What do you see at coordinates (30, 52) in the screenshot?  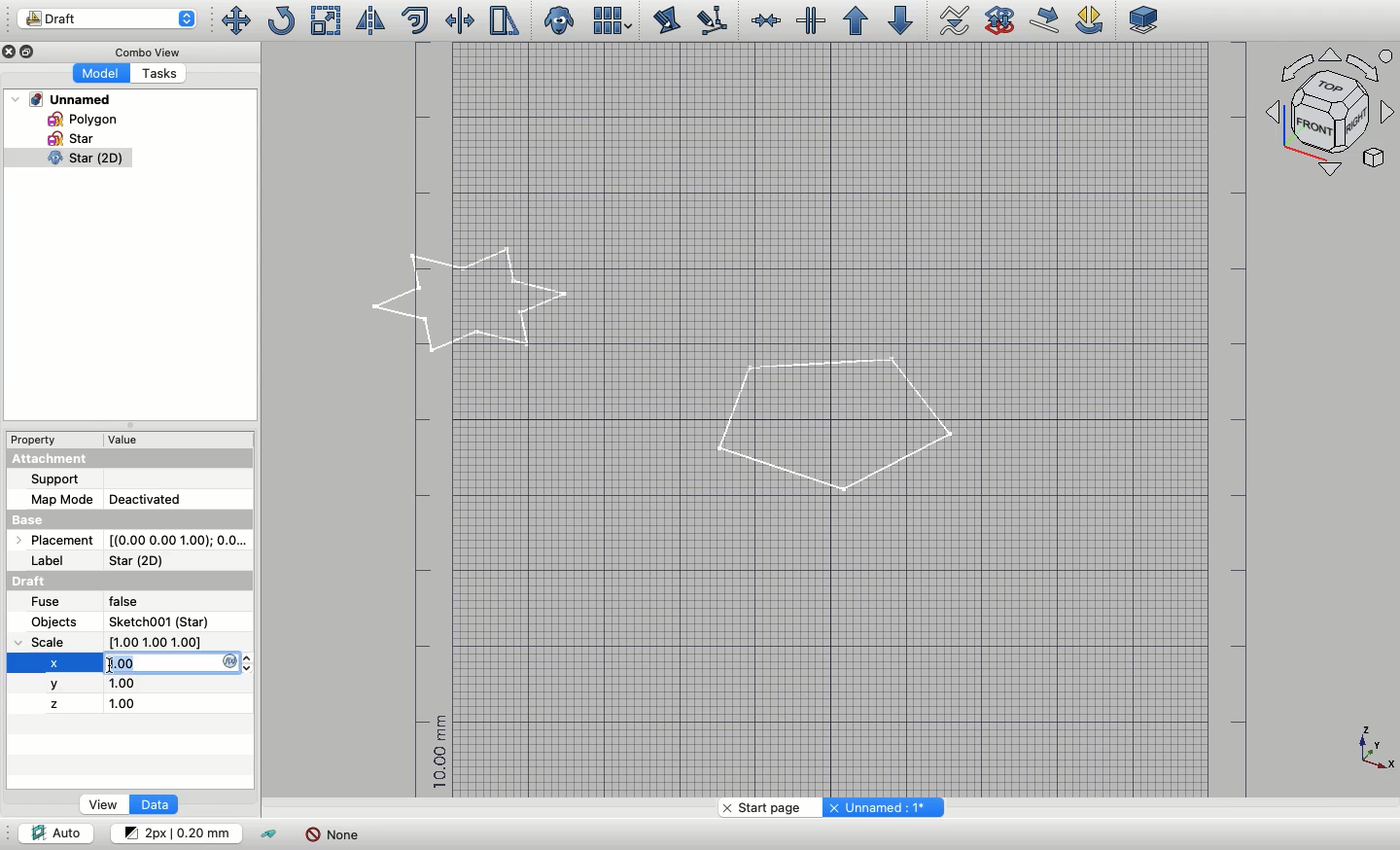 I see `Collapse` at bounding box center [30, 52].